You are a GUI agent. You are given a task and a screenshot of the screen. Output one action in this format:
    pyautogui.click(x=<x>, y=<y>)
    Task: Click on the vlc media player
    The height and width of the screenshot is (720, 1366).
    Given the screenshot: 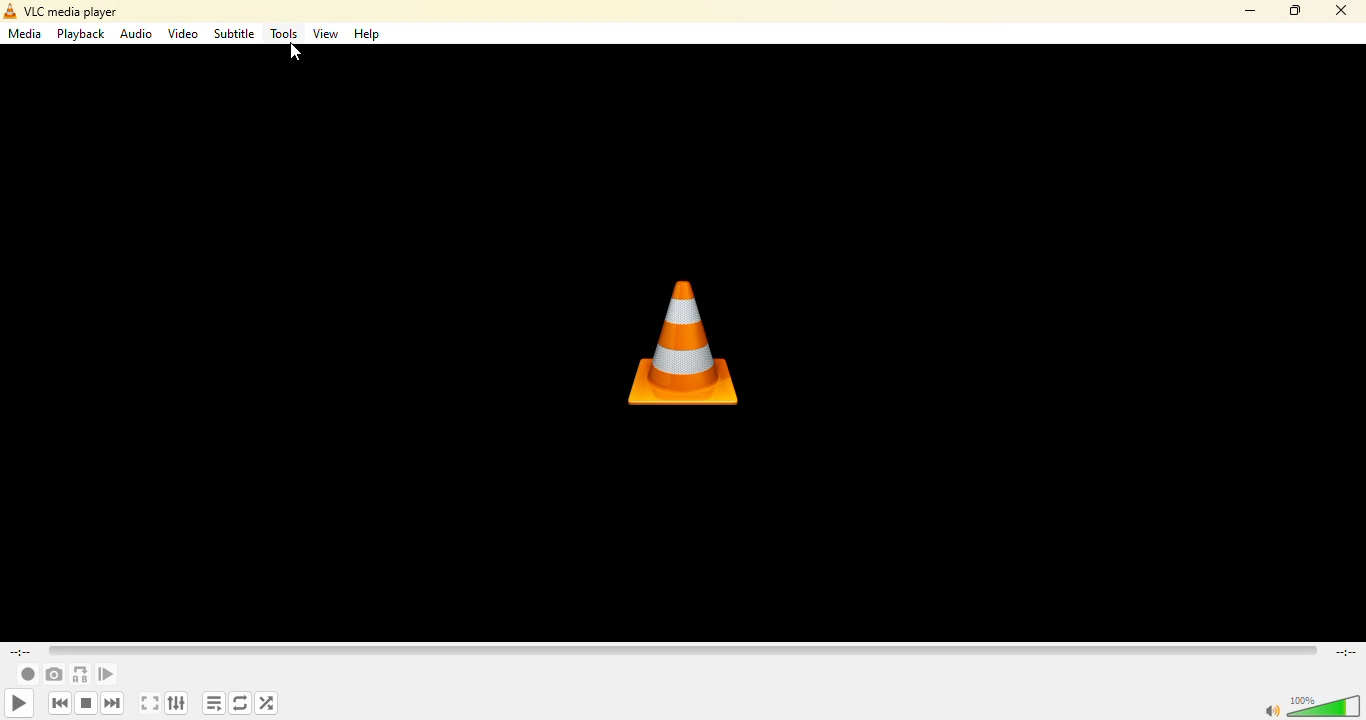 What is the action you would take?
    pyautogui.click(x=61, y=12)
    